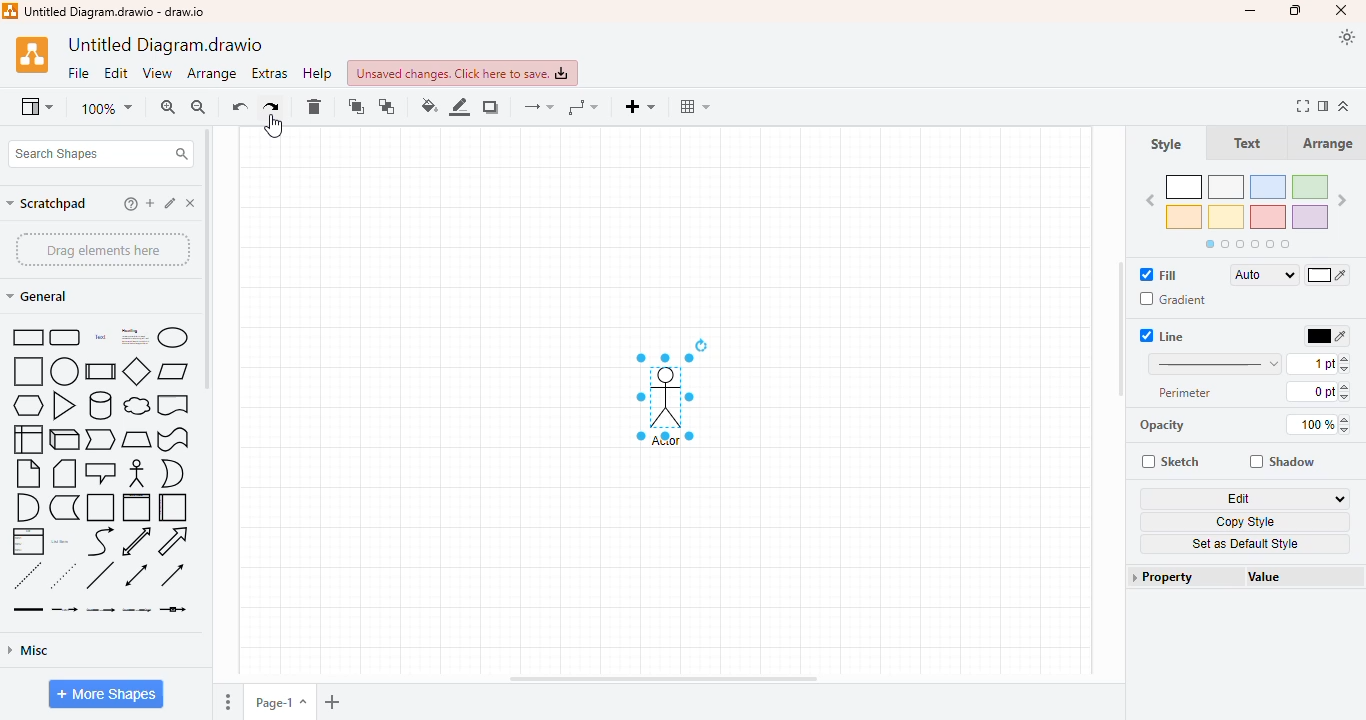 The height and width of the screenshot is (720, 1366). I want to click on arrow, so click(172, 541).